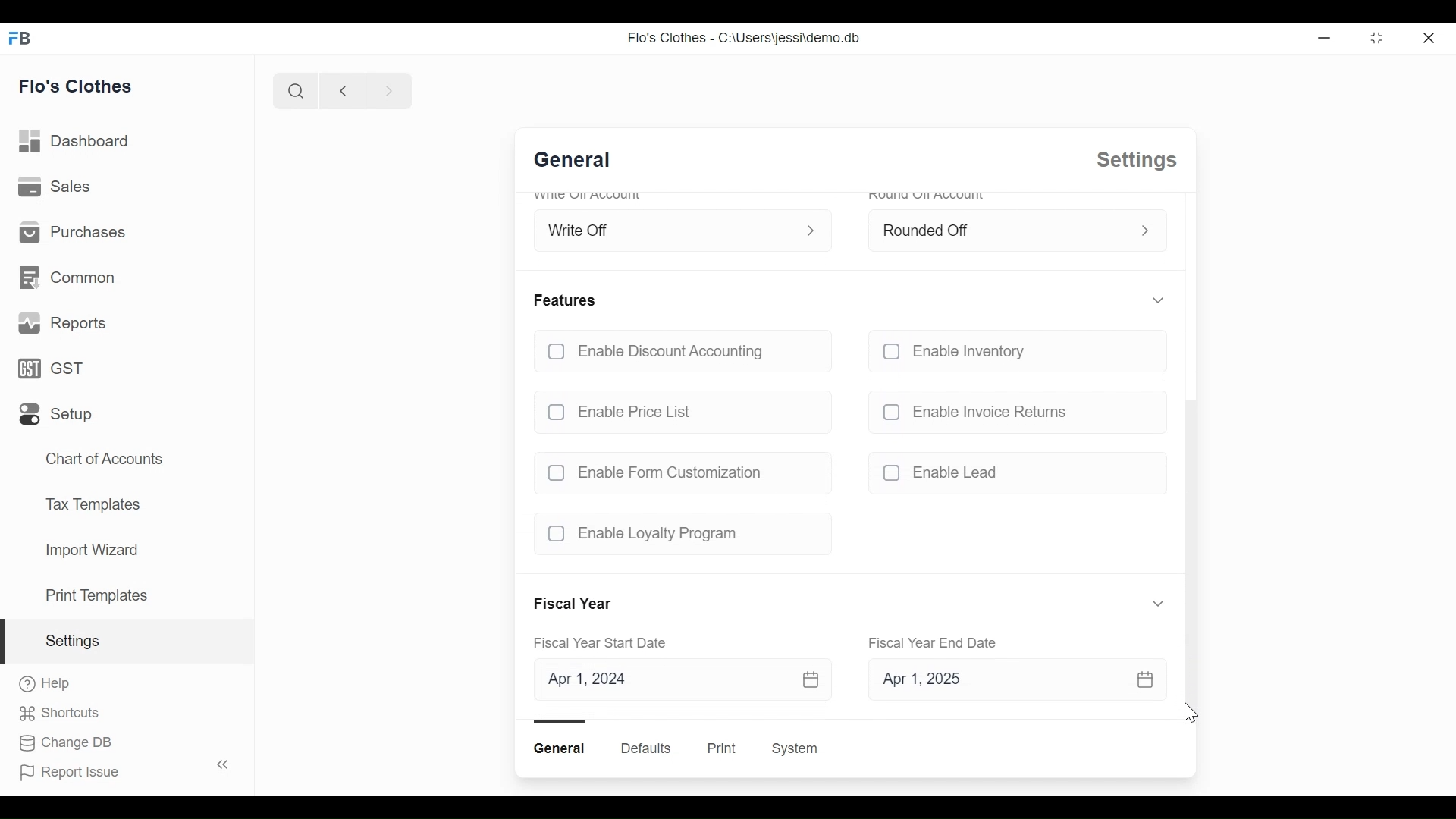  I want to click on Expand, so click(814, 229).